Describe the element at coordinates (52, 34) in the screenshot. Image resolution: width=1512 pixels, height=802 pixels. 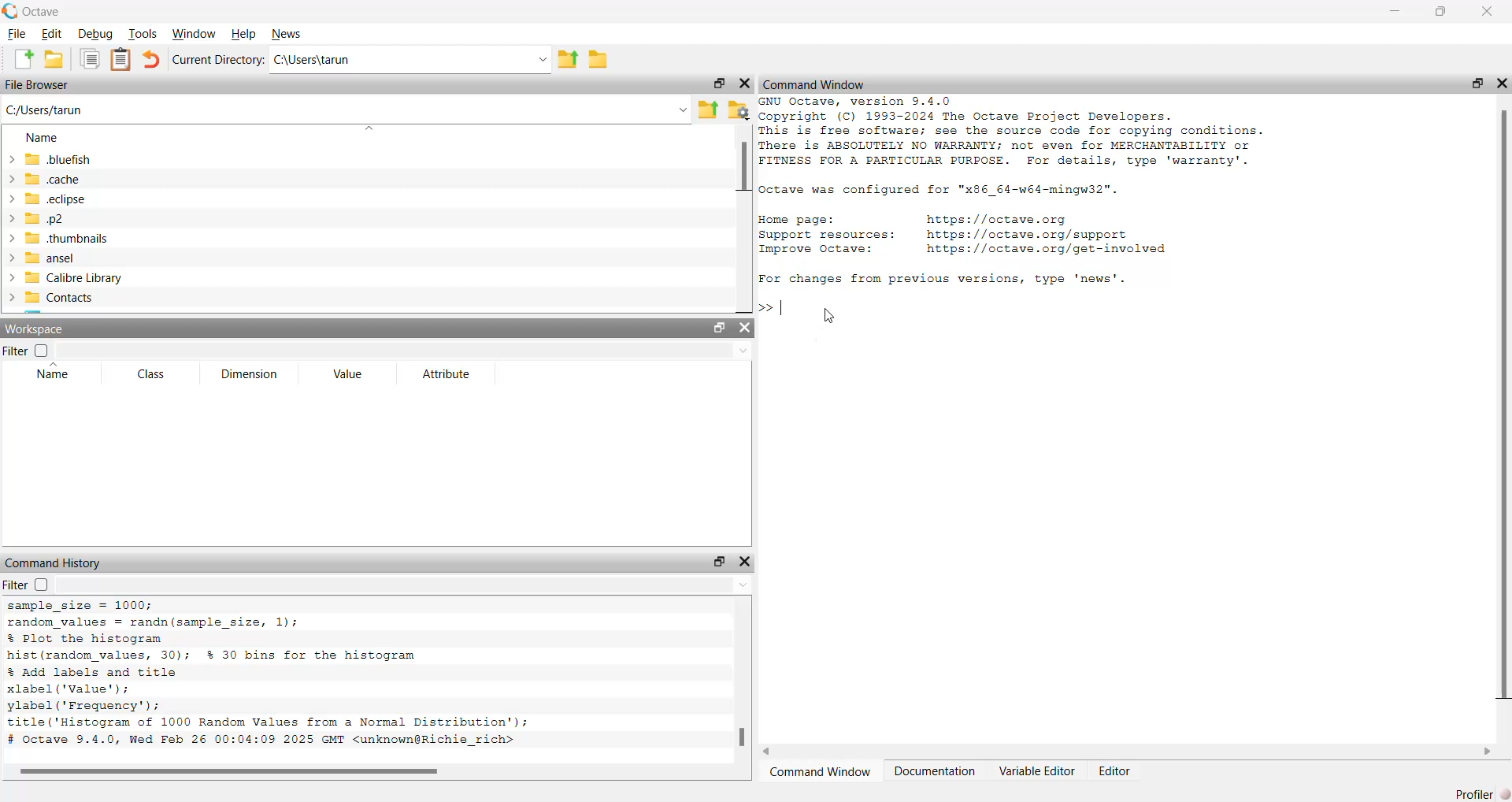
I see `Edit` at that location.